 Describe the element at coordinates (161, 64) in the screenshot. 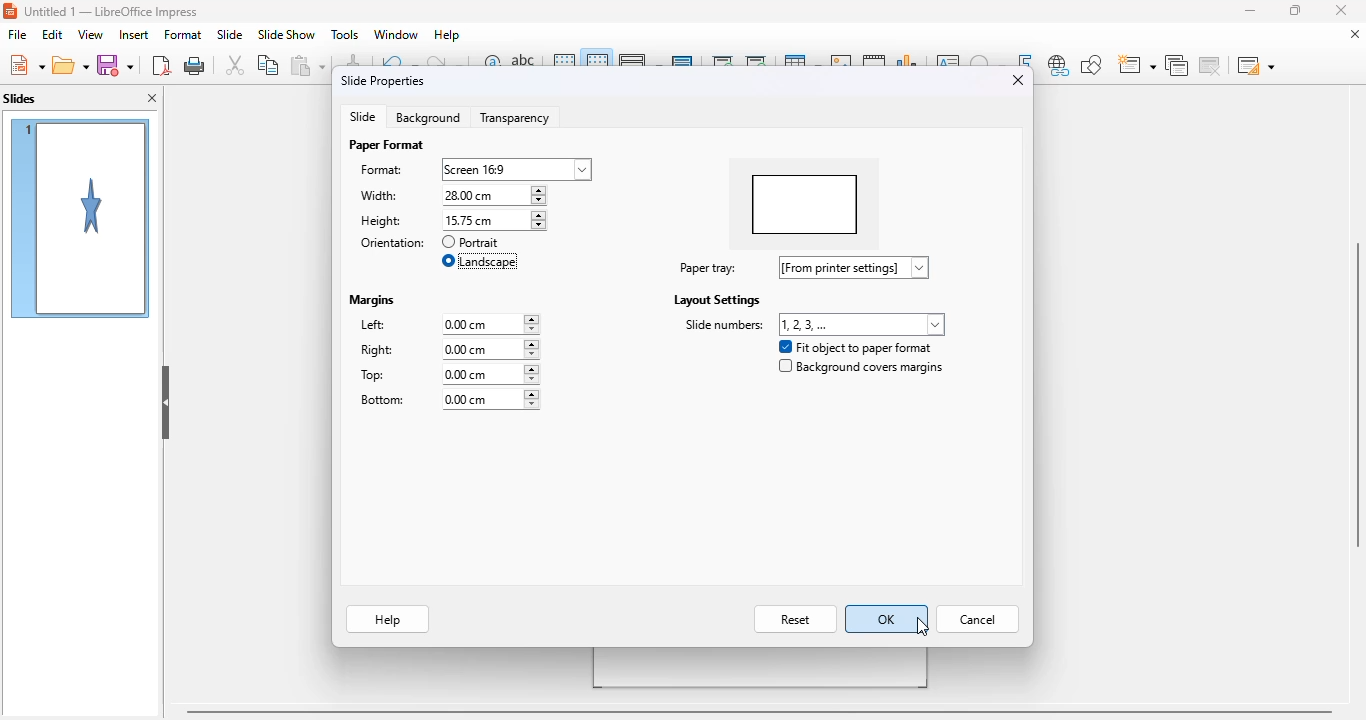

I see `export directly as PDF` at that location.